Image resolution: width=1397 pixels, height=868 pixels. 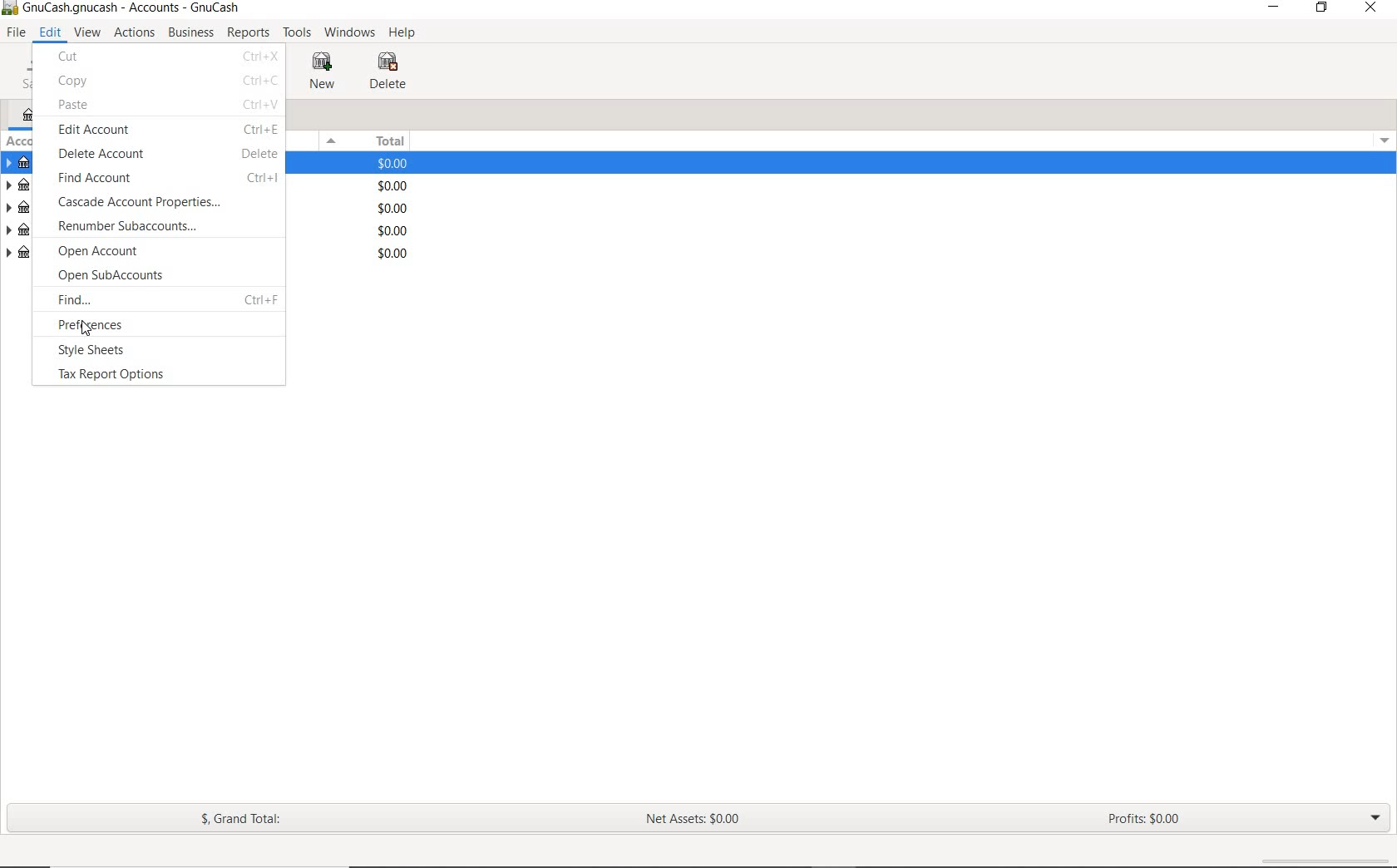 What do you see at coordinates (17, 32) in the screenshot?
I see `FILE` at bounding box center [17, 32].